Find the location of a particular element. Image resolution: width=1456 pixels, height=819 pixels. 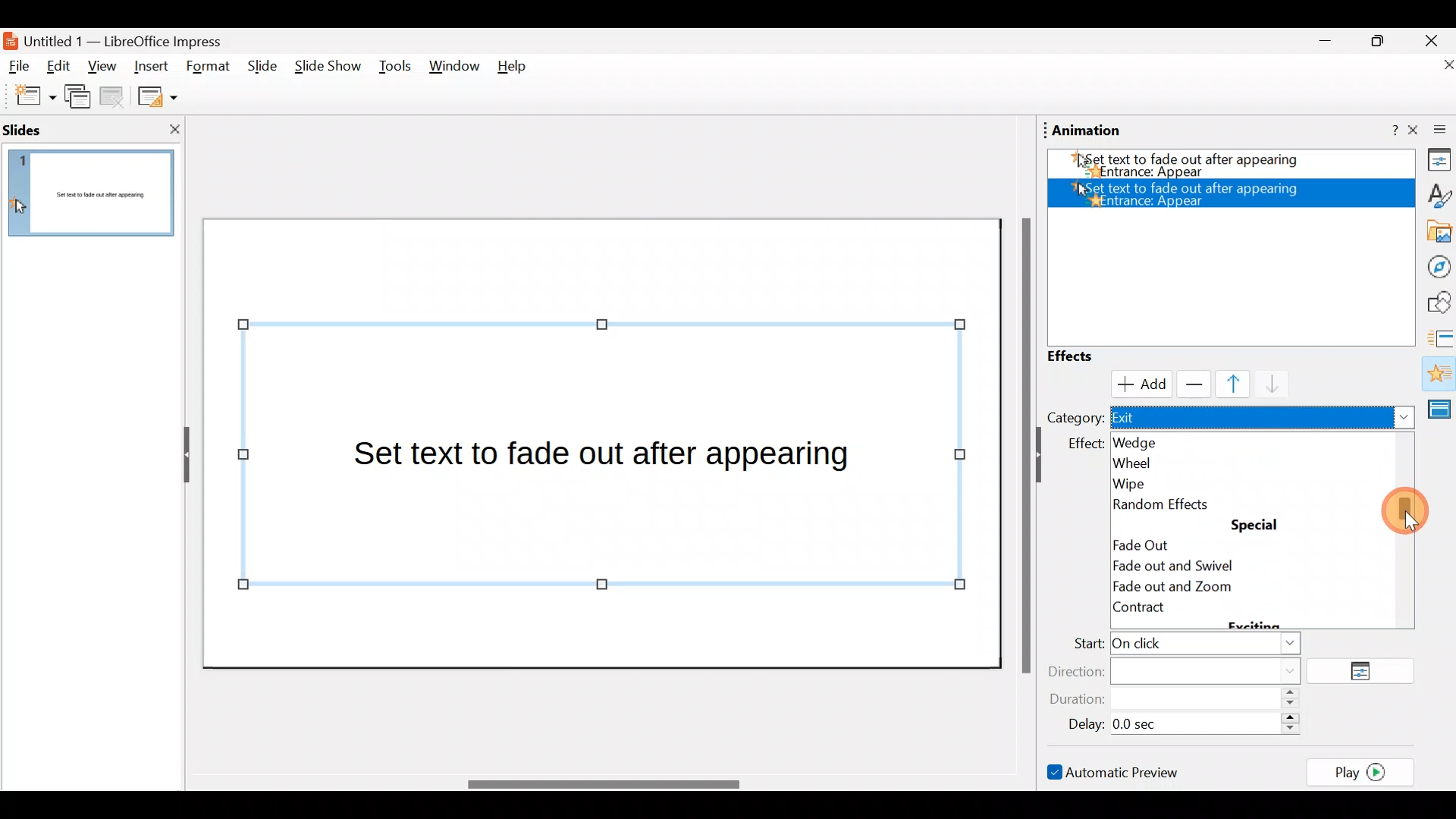

Move up is located at coordinates (1224, 384).